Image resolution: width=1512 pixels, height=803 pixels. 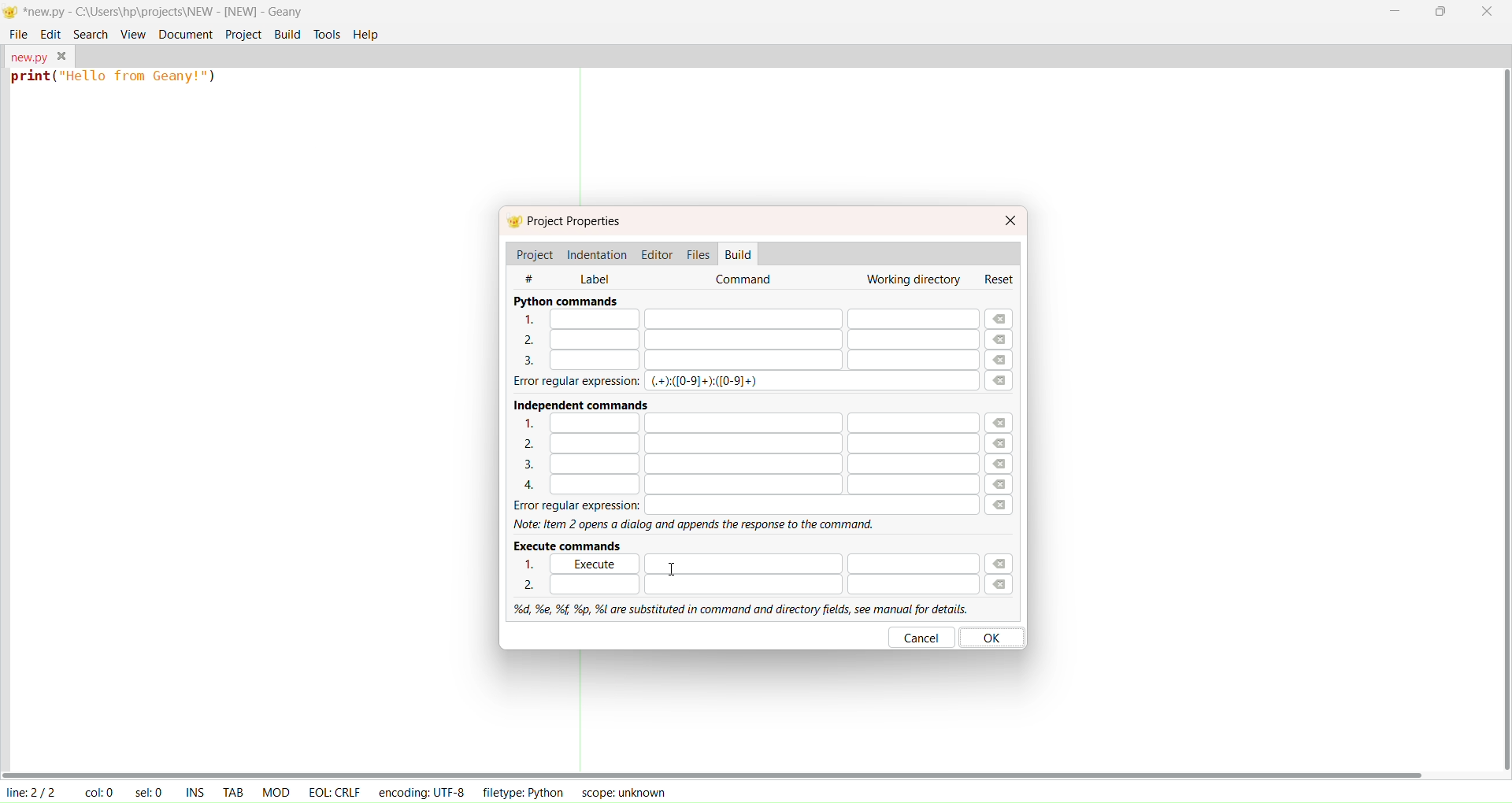 What do you see at coordinates (539, 277) in the screenshot?
I see `#` at bounding box center [539, 277].